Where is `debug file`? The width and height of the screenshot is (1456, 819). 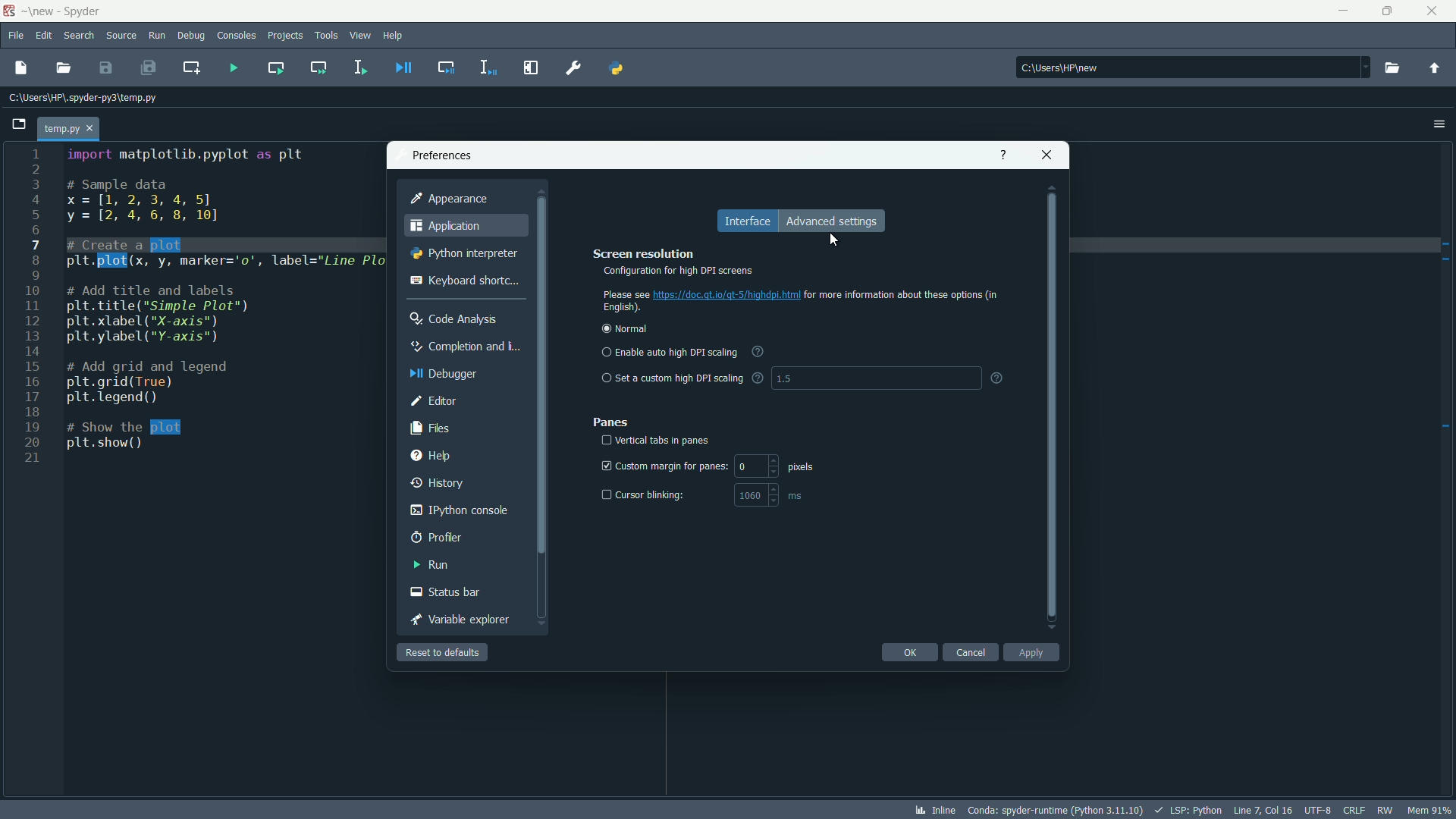
debug file is located at coordinates (403, 67).